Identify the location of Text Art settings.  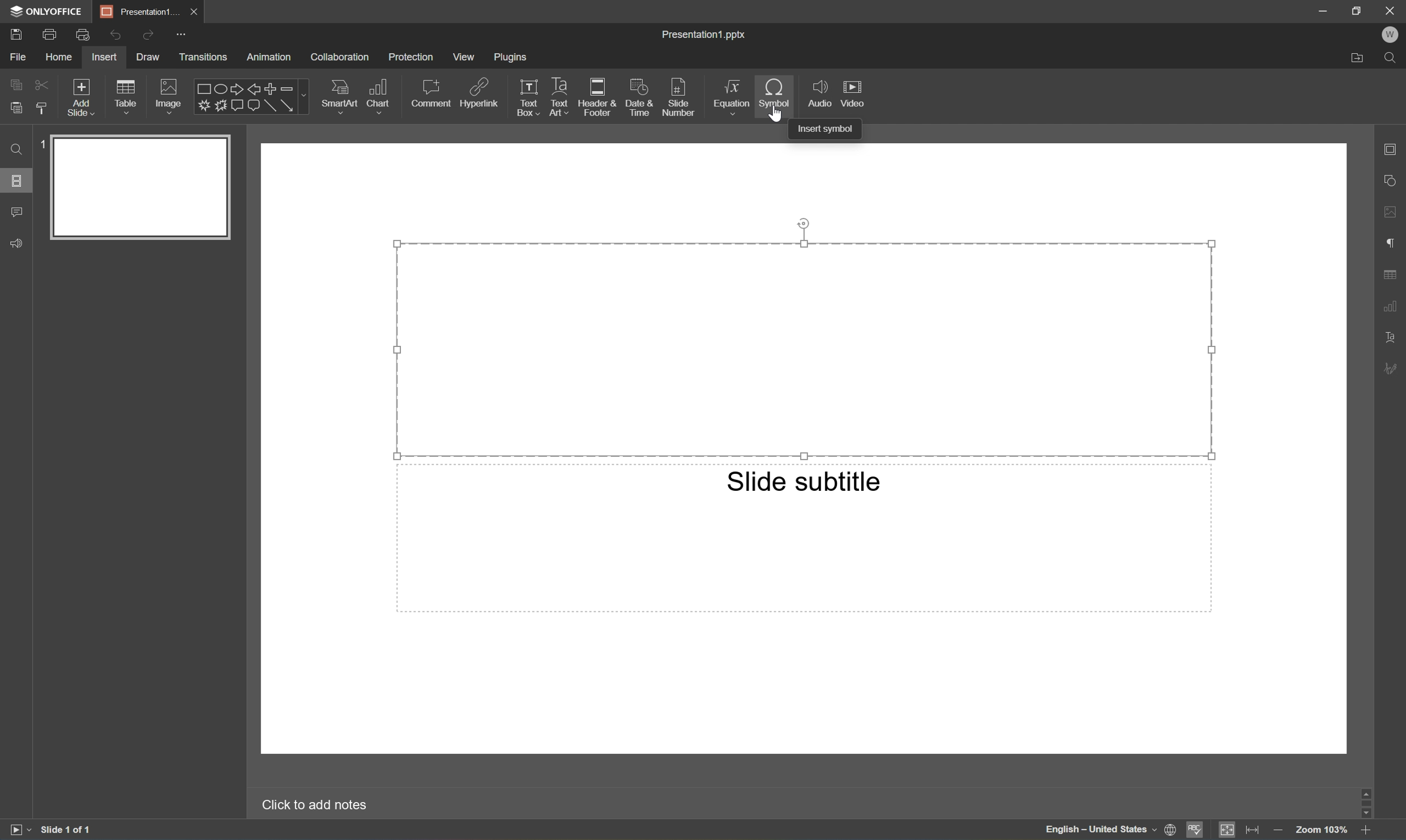
(1390, 335).